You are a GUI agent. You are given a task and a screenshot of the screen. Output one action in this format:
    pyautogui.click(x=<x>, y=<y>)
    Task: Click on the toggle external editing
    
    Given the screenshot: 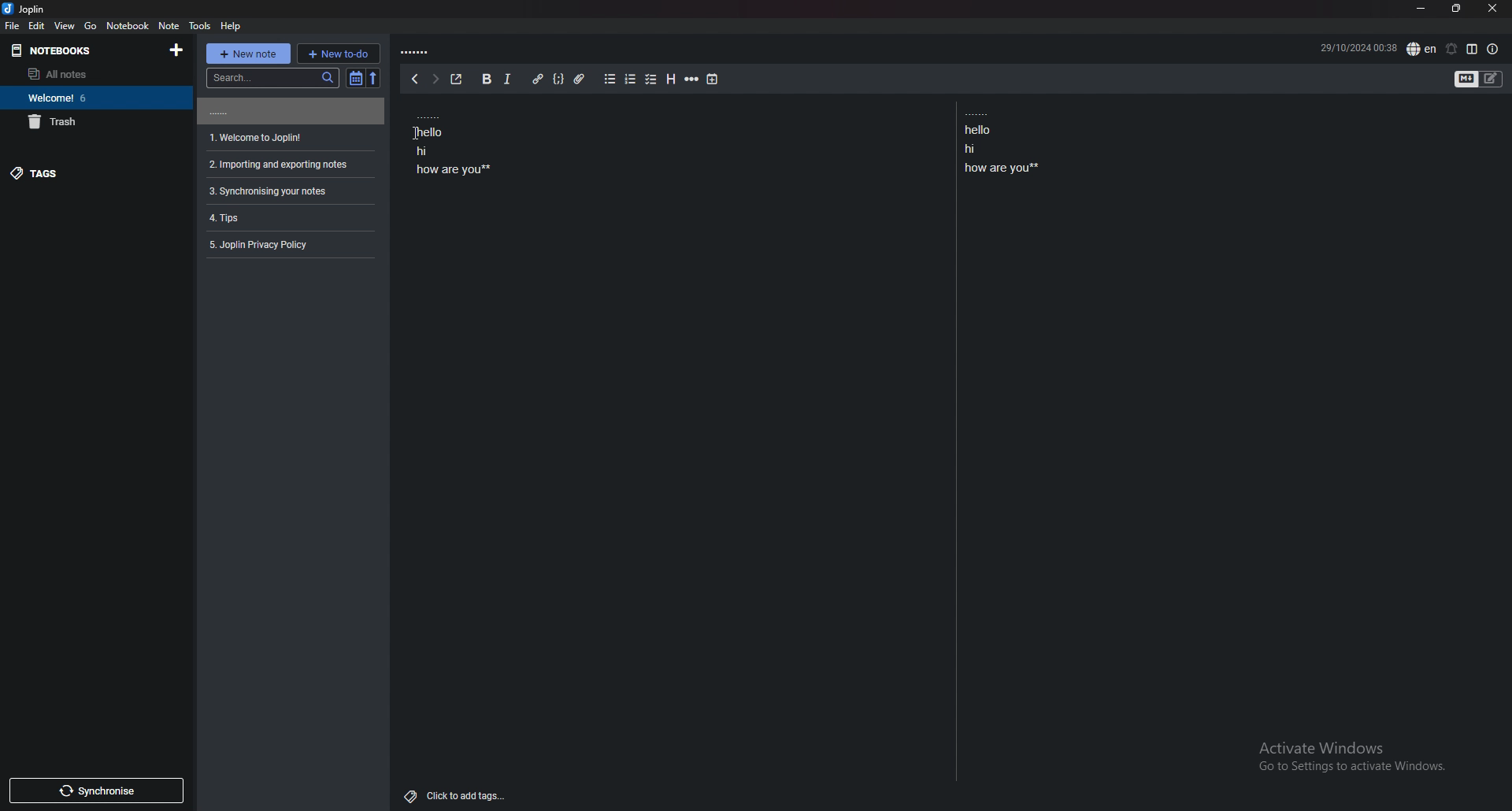 What is the action you would take?
    pyautogui.click(x=458, y=80)
    